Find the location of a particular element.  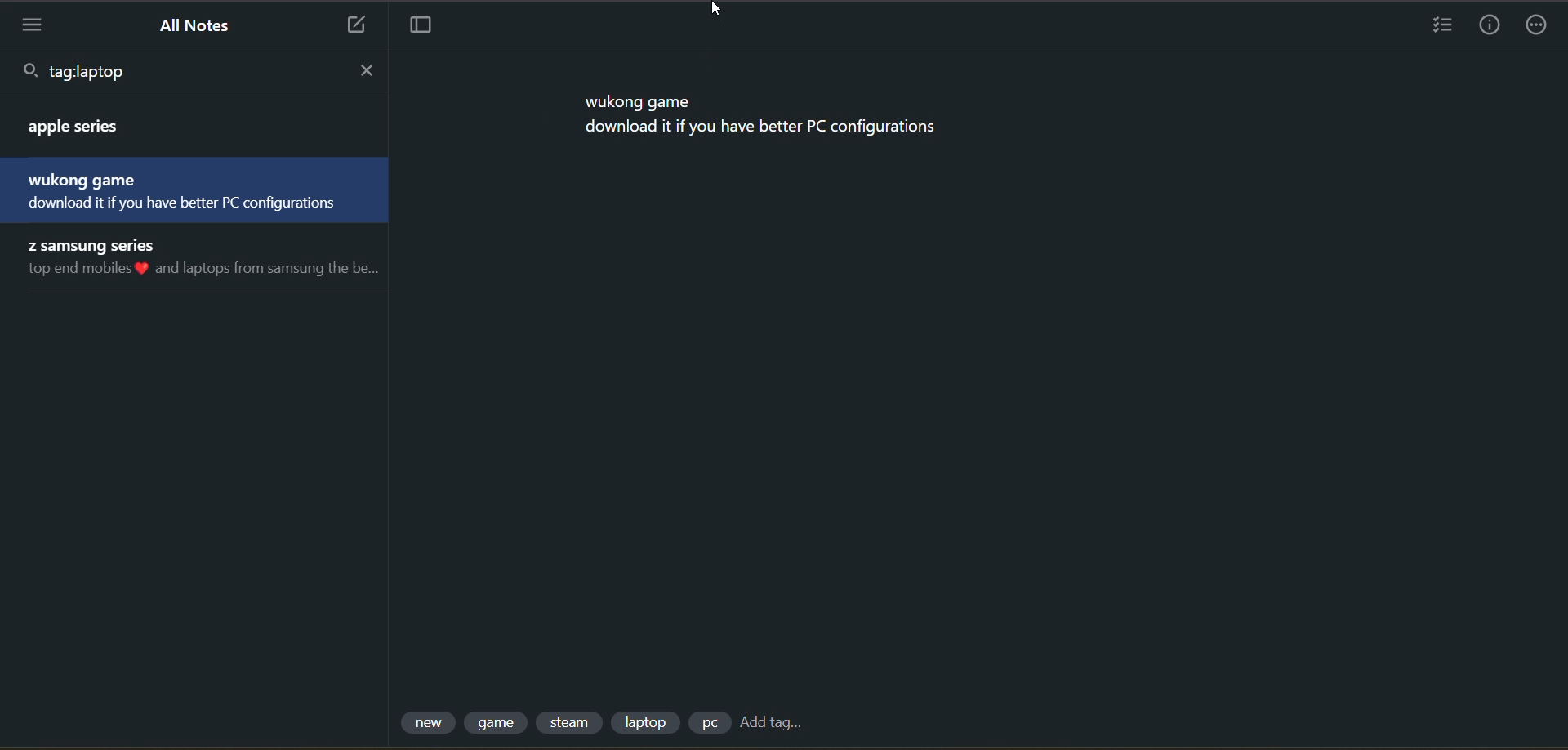

new note is located at coordinates (355, 24).